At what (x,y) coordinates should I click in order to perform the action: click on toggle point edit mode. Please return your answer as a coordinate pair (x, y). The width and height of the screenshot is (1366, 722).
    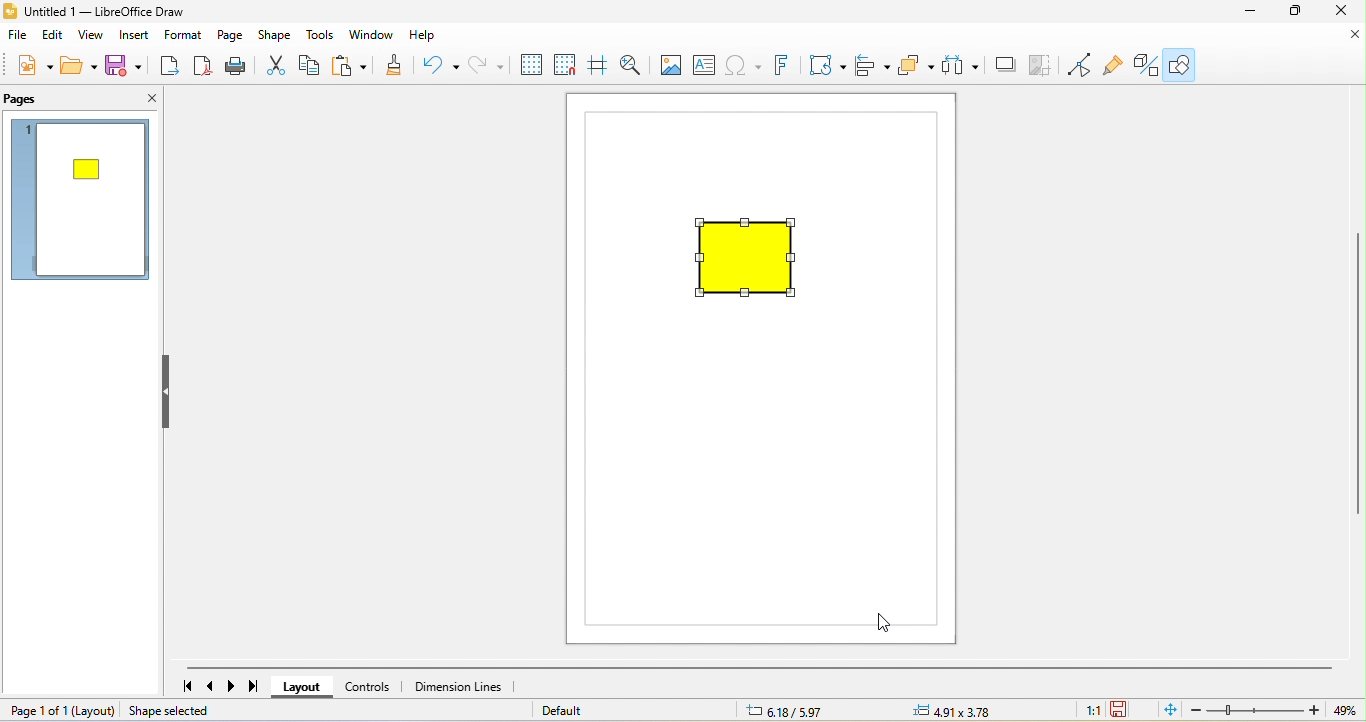
    Looking at the image, I should click on (1081, 67).